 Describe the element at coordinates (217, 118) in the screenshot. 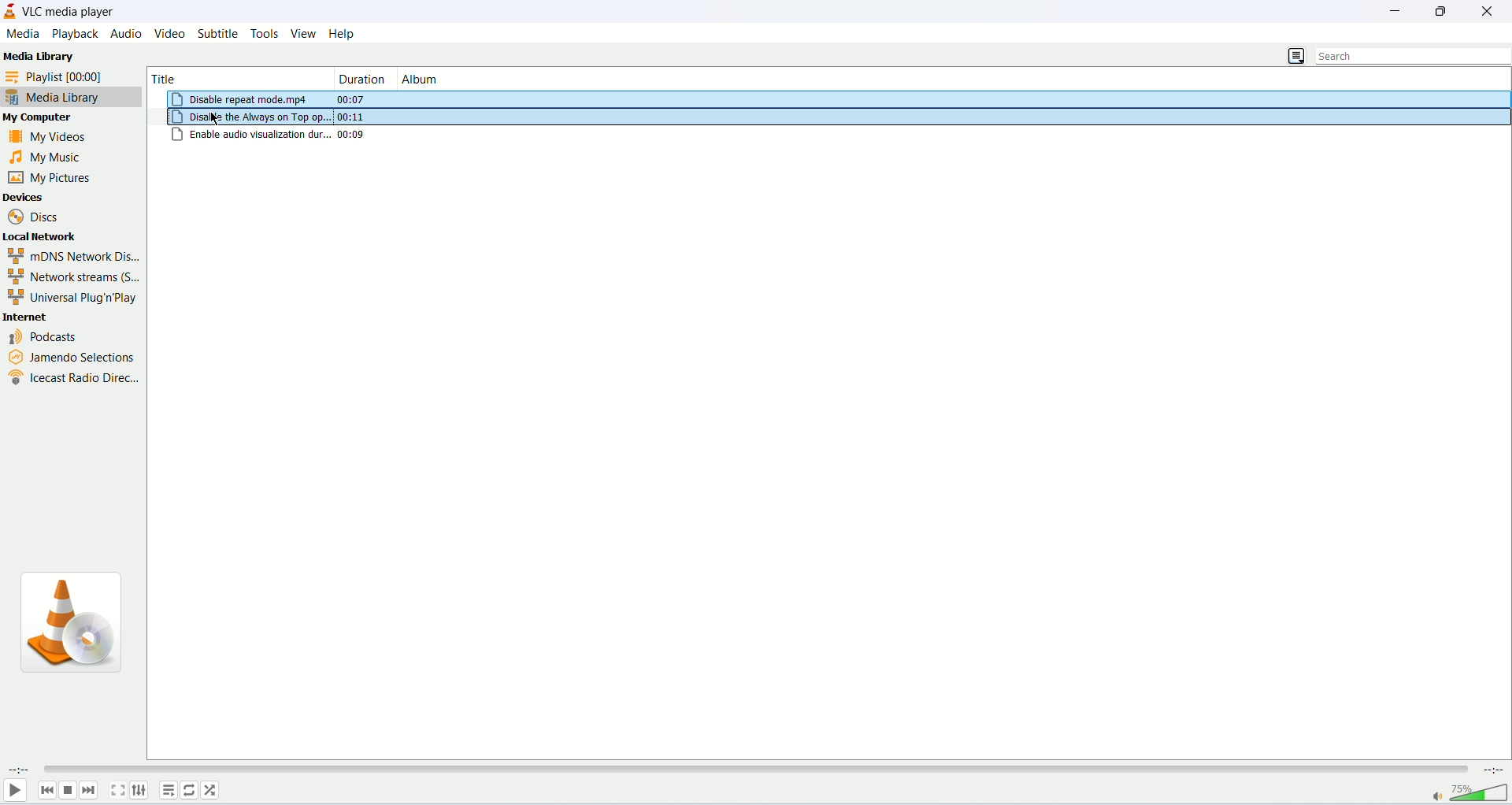

I see `mouse cursor` at that location.